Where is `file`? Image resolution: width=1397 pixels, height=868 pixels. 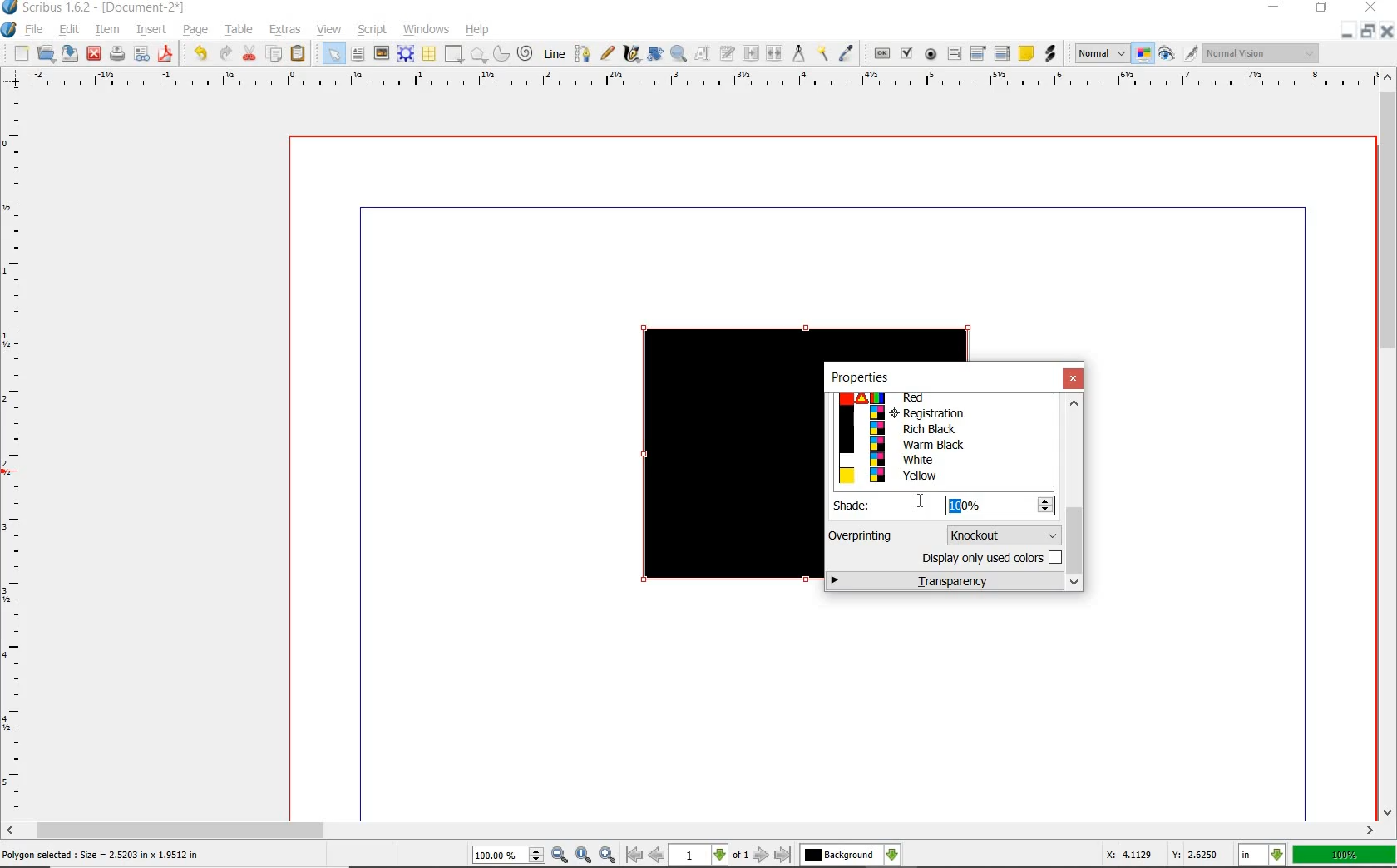
file is located at coordinates (35, 32).